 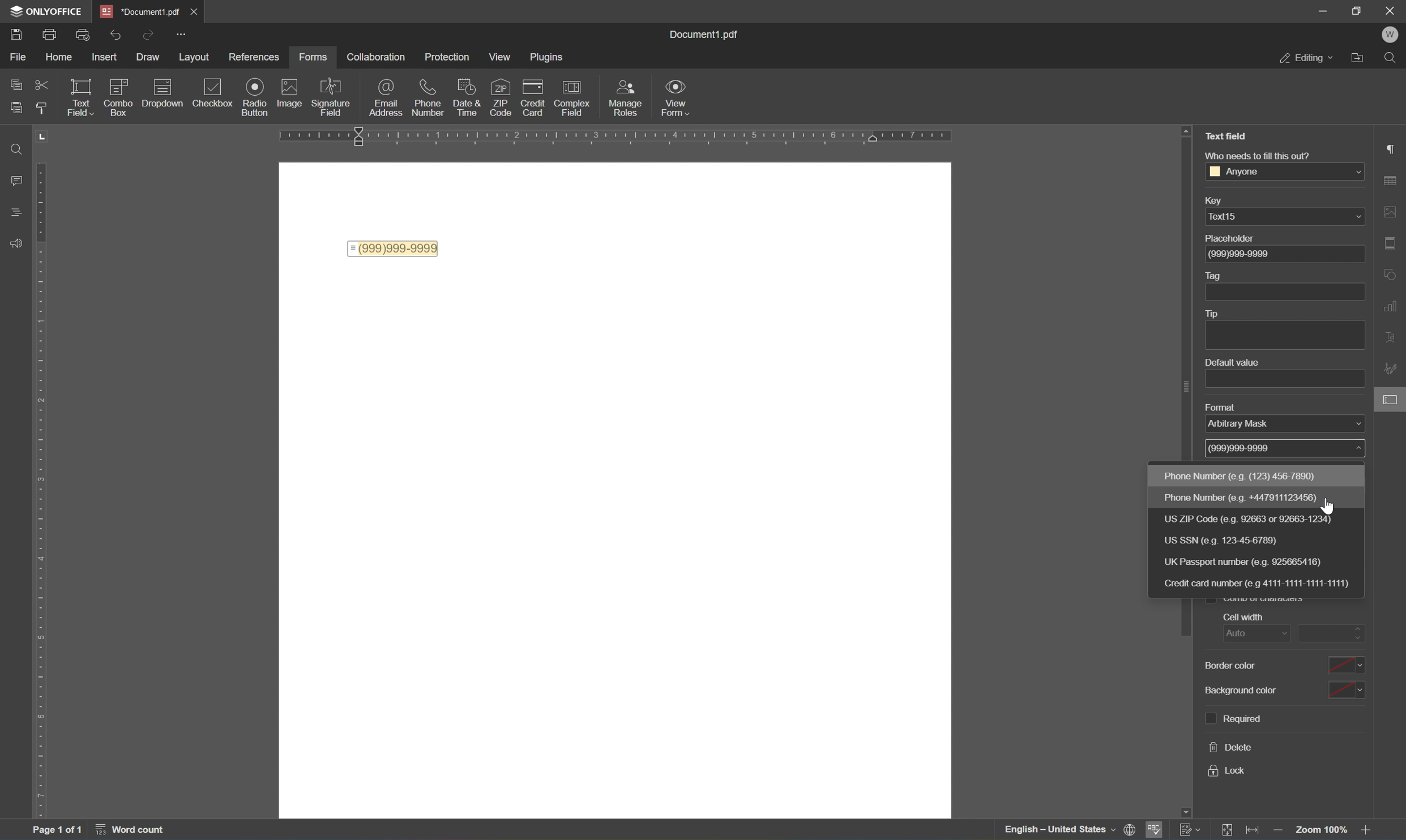 What do you see at coordinates (546, 57) in the screenshot?
I see `plugins` at bounding box center [546, 57].